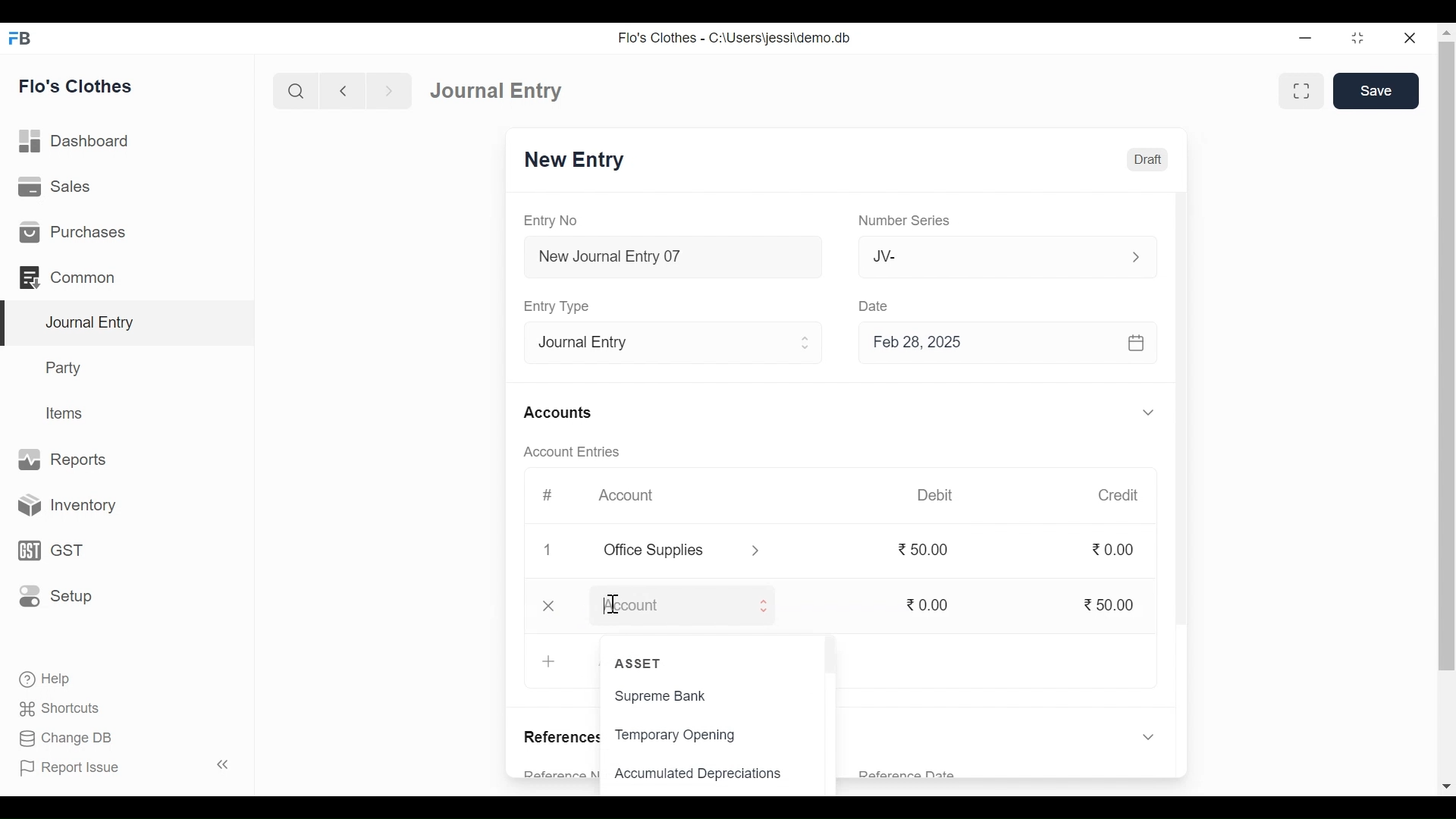 The image size is (1456, 819). What do you see at coordinates (389, 91) in the screenshot?
I see `Navigate Forward` at bounding box center [389, 91].